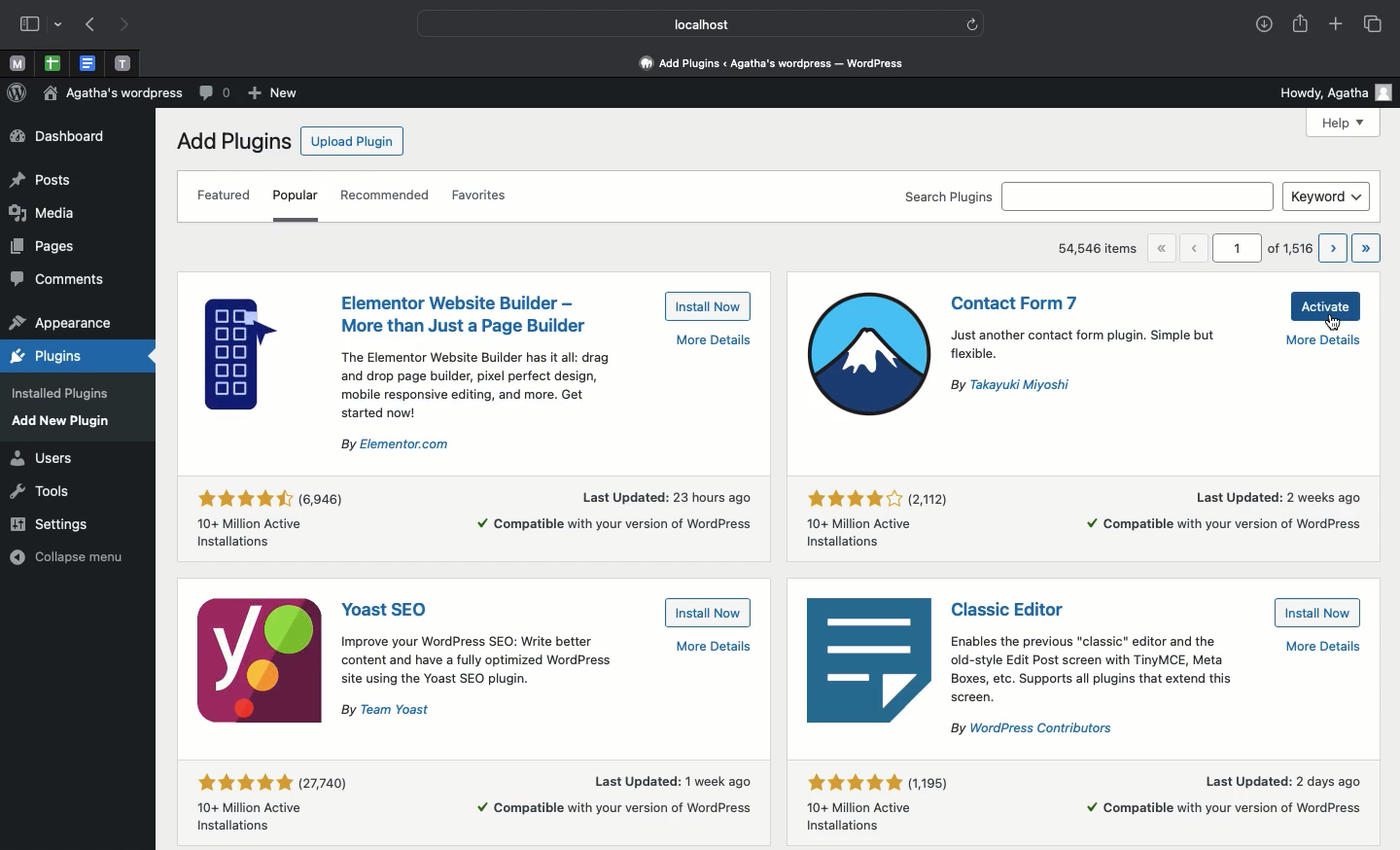  Describe the element at coordinates (480, 678) in the screenshot. I see `Informational text` at that location.